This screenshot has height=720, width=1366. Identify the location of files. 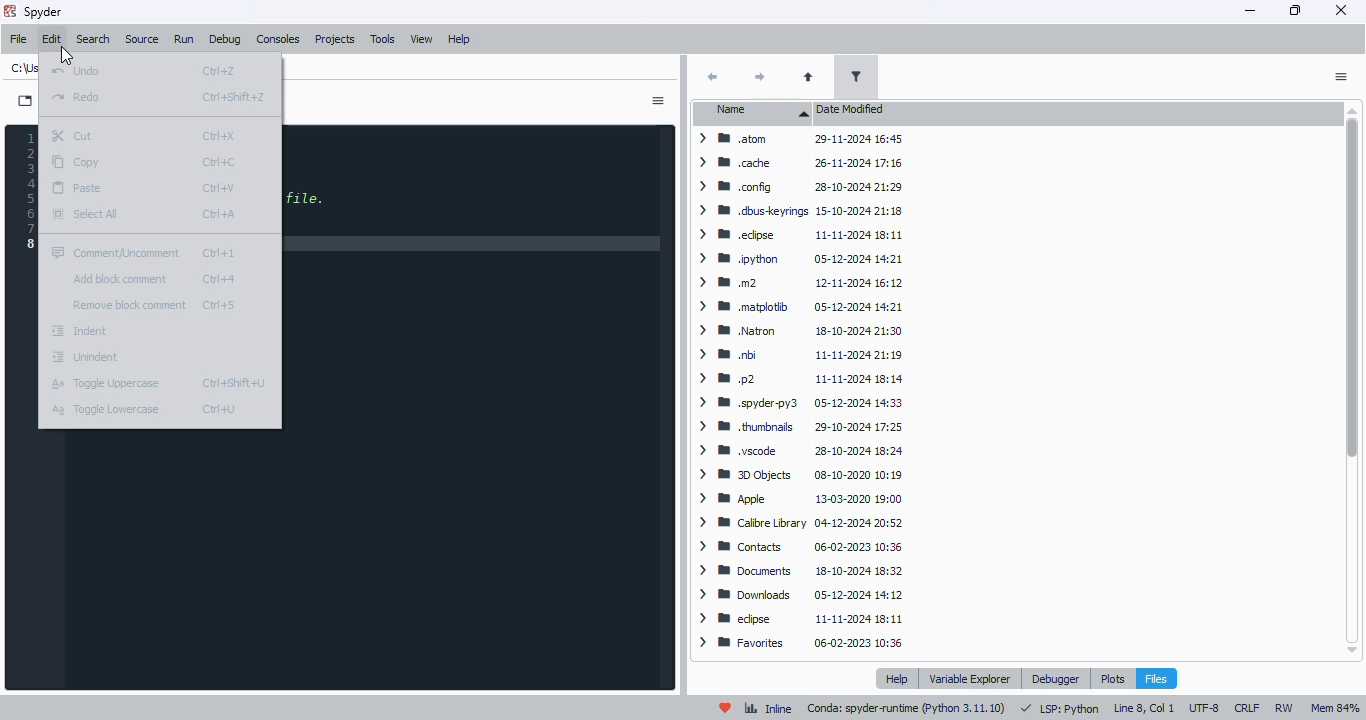
(1156, 678).